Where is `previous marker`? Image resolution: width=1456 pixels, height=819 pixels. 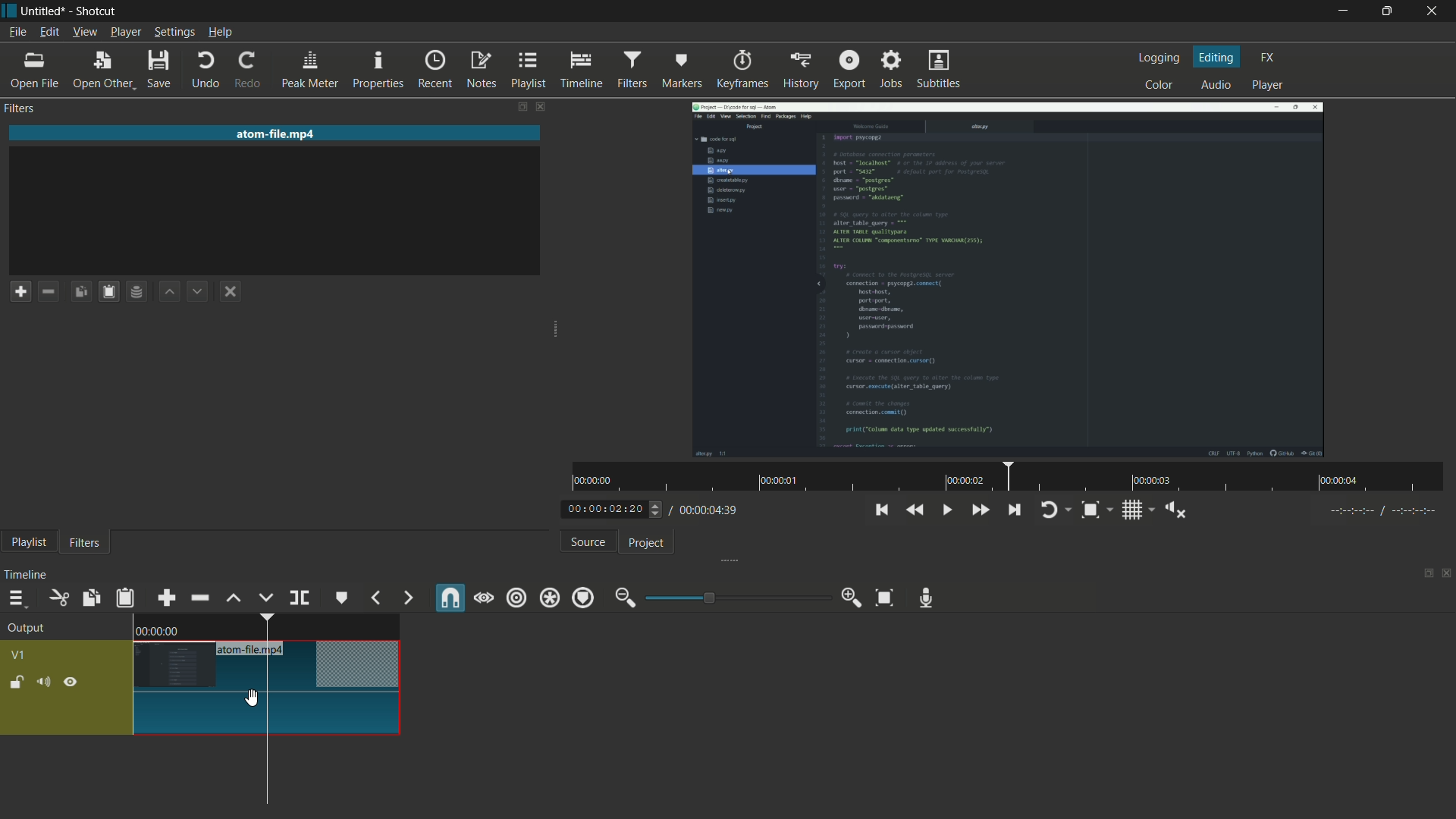 previous marker is located at coordinates (375, 599).